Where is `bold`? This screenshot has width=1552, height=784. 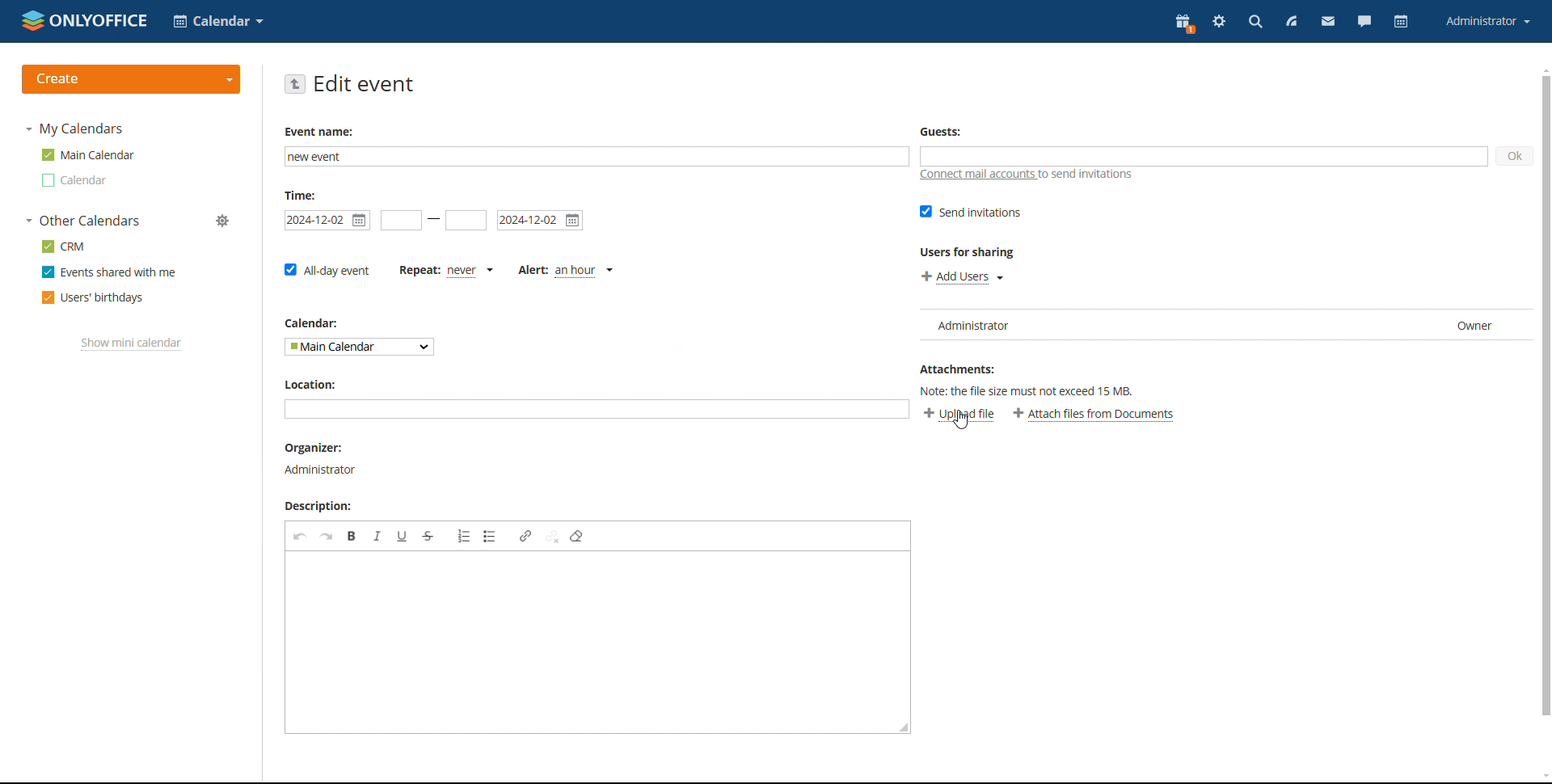
bold is located at coordinates (352, 536).